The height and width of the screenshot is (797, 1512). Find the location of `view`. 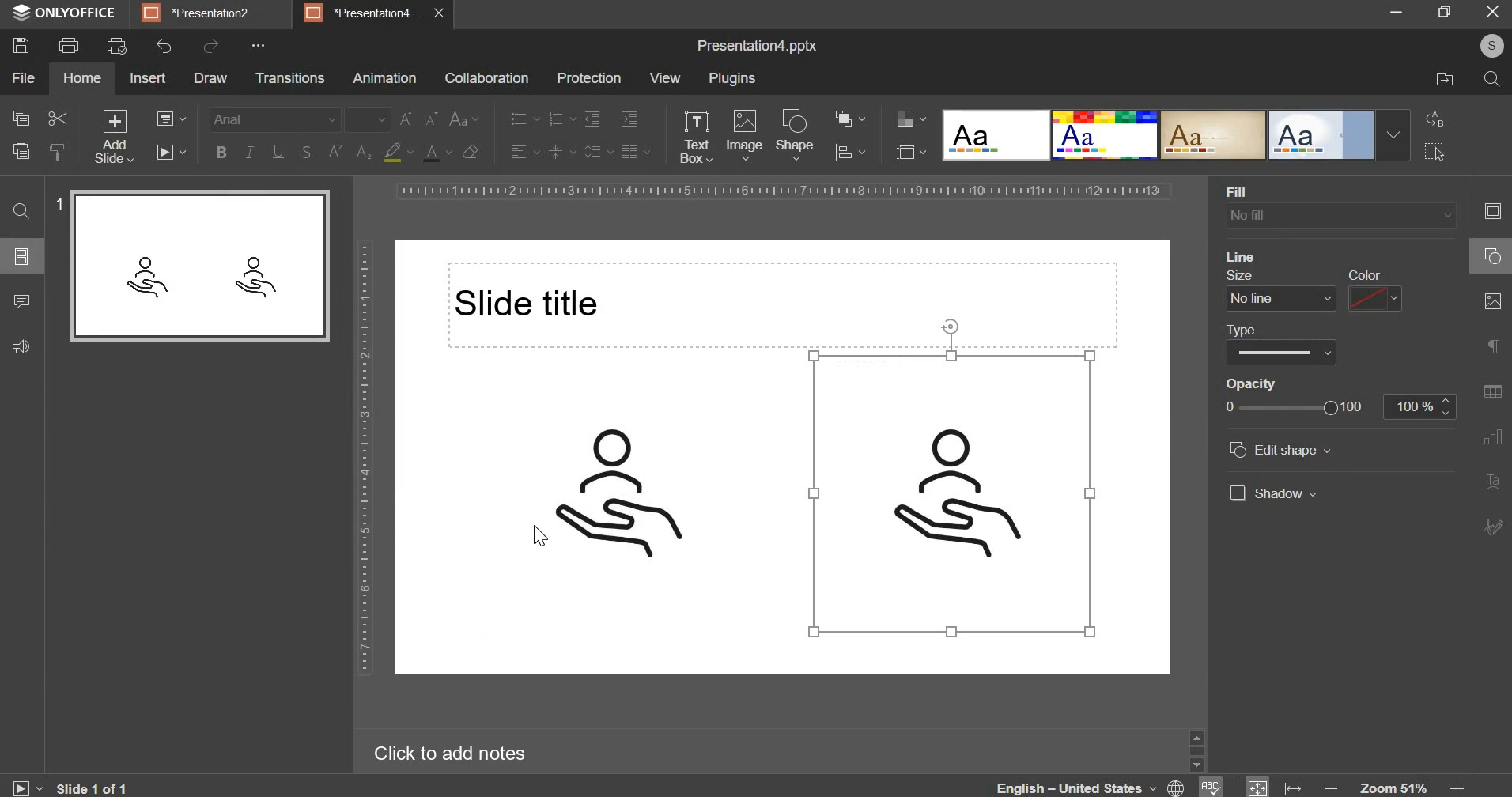

view is located at coordinates (667, 77).